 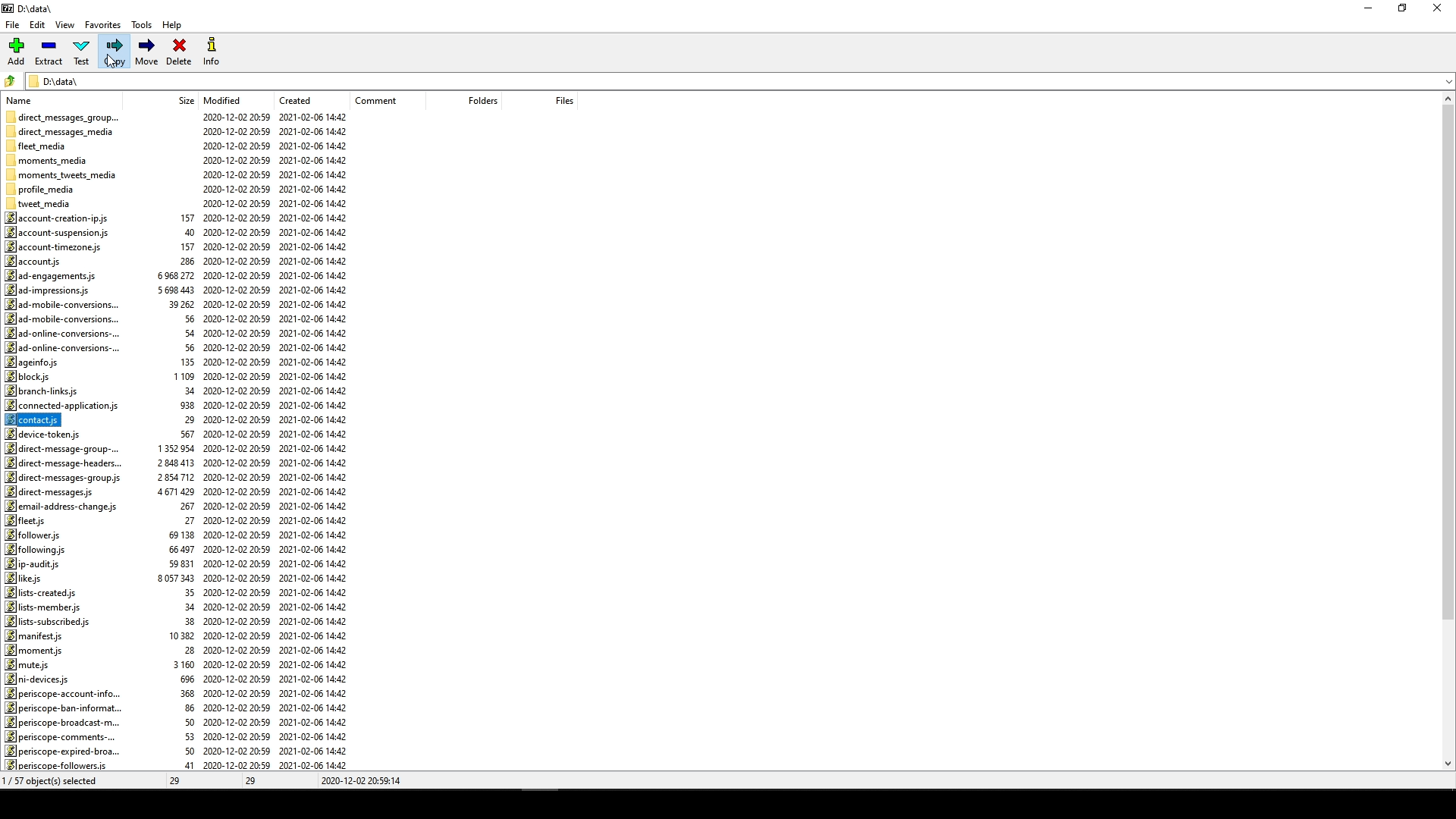 I want to click on Add, so click(x=20, y=51).